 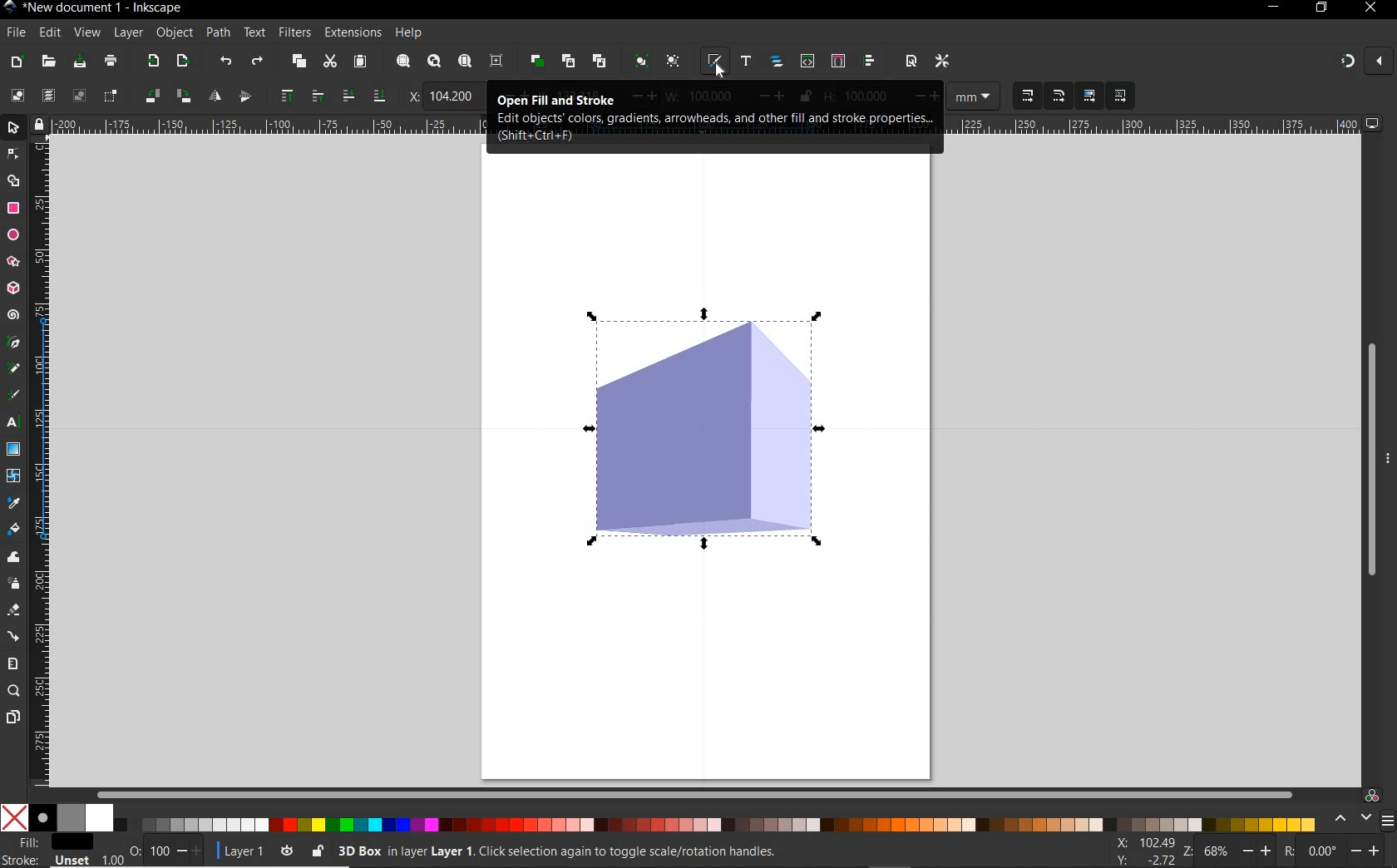 I want to click on NEW, so click(x=16, y=62).